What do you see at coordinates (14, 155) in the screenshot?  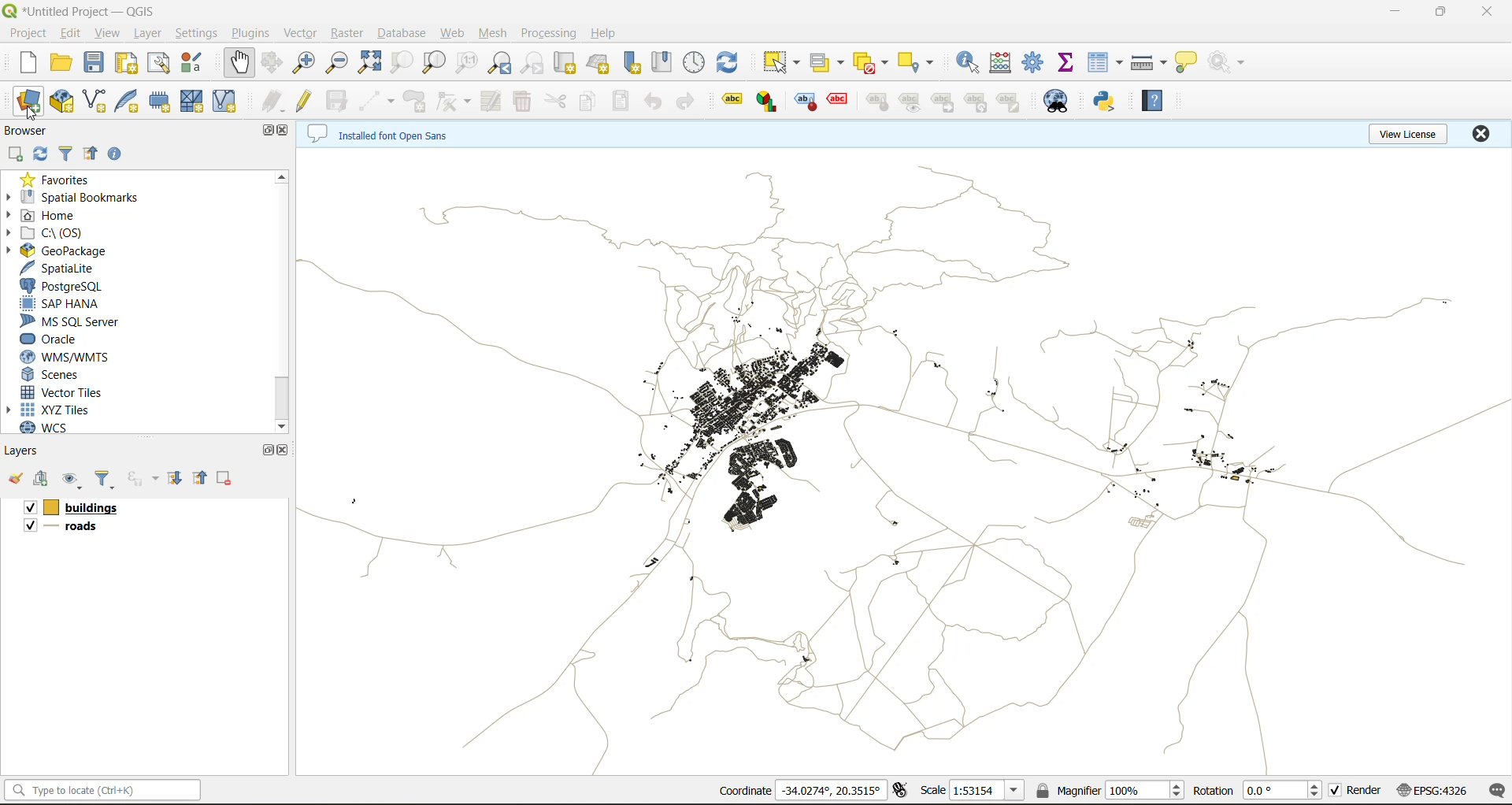 I see `add` at bounding box center [14, 155].